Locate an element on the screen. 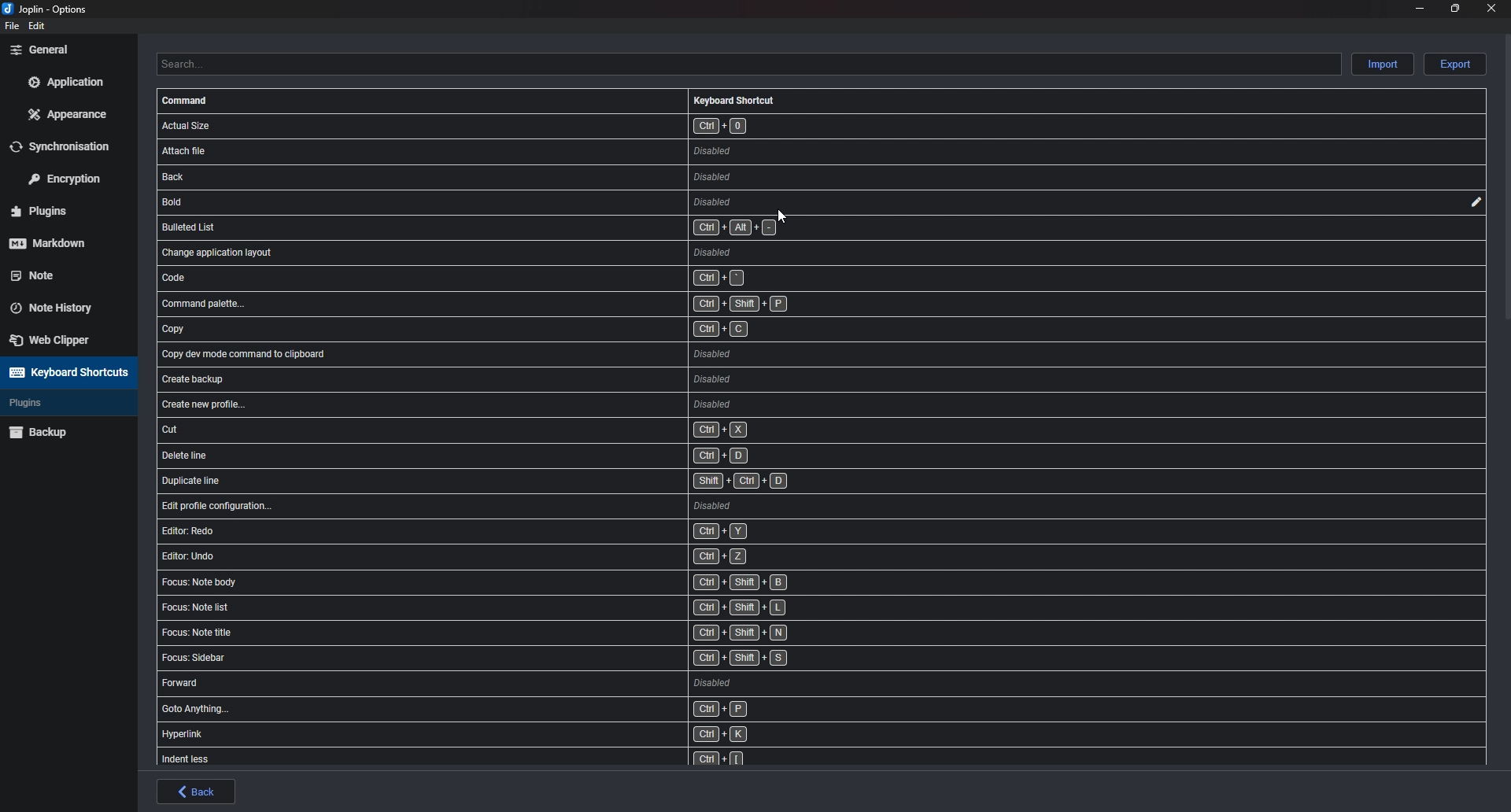  edit is located at coordinates (38, 26).